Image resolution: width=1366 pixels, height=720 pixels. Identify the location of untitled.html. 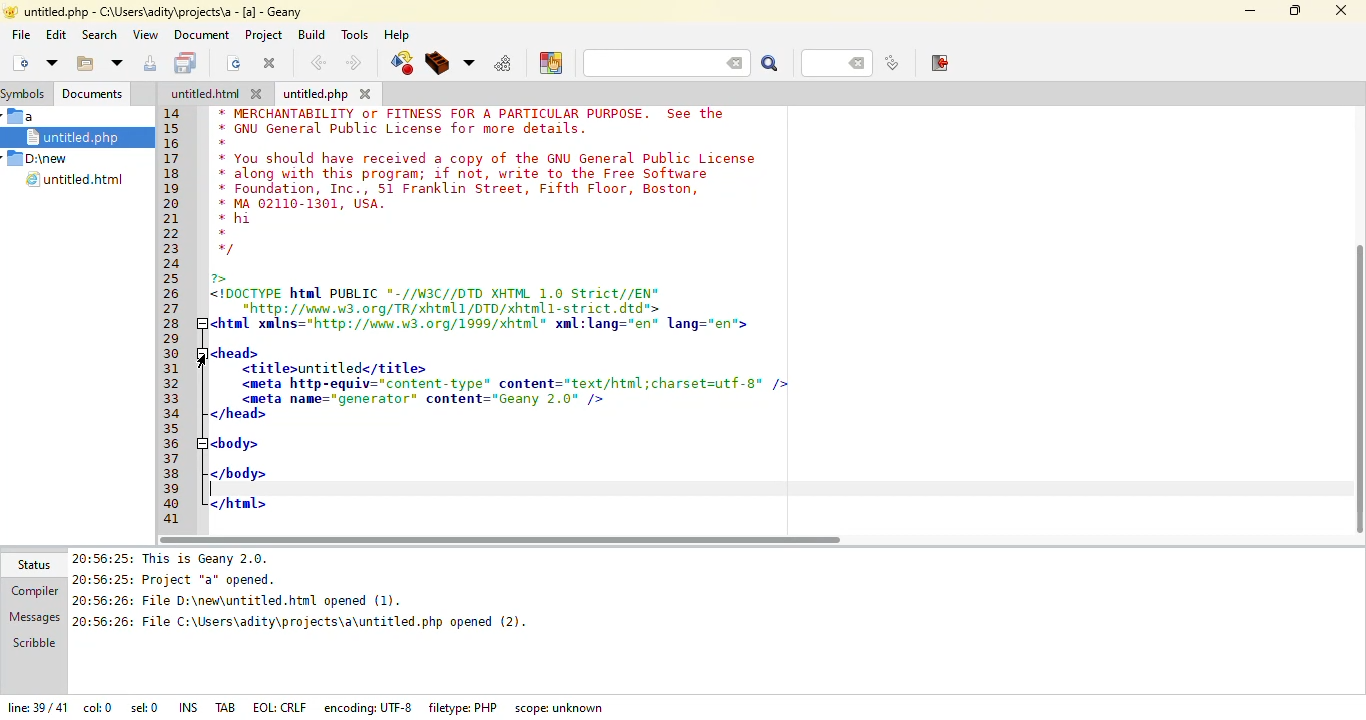
(78, 180).